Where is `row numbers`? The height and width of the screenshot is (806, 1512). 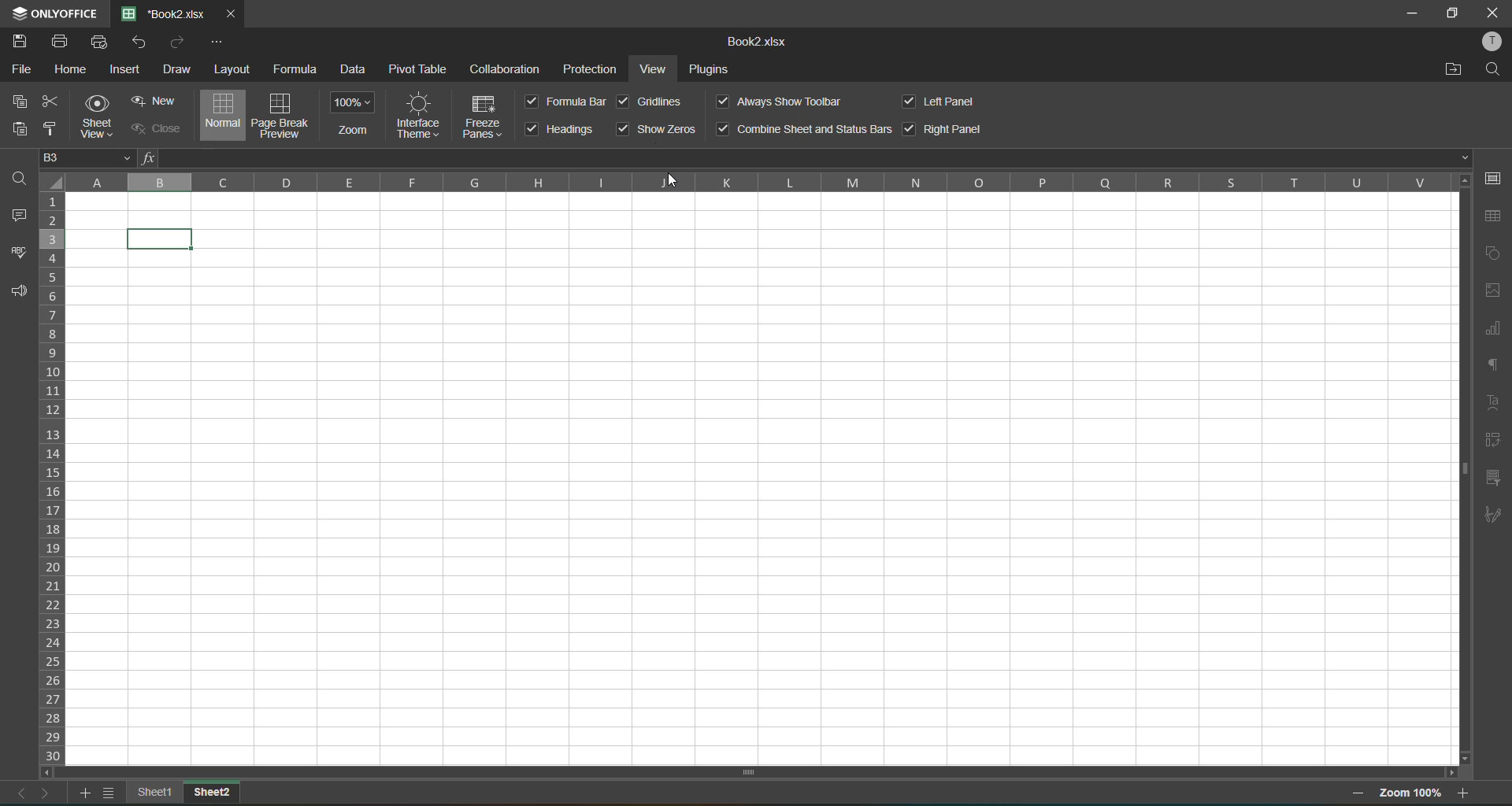 row numbers is located at coordinates (56, 476).